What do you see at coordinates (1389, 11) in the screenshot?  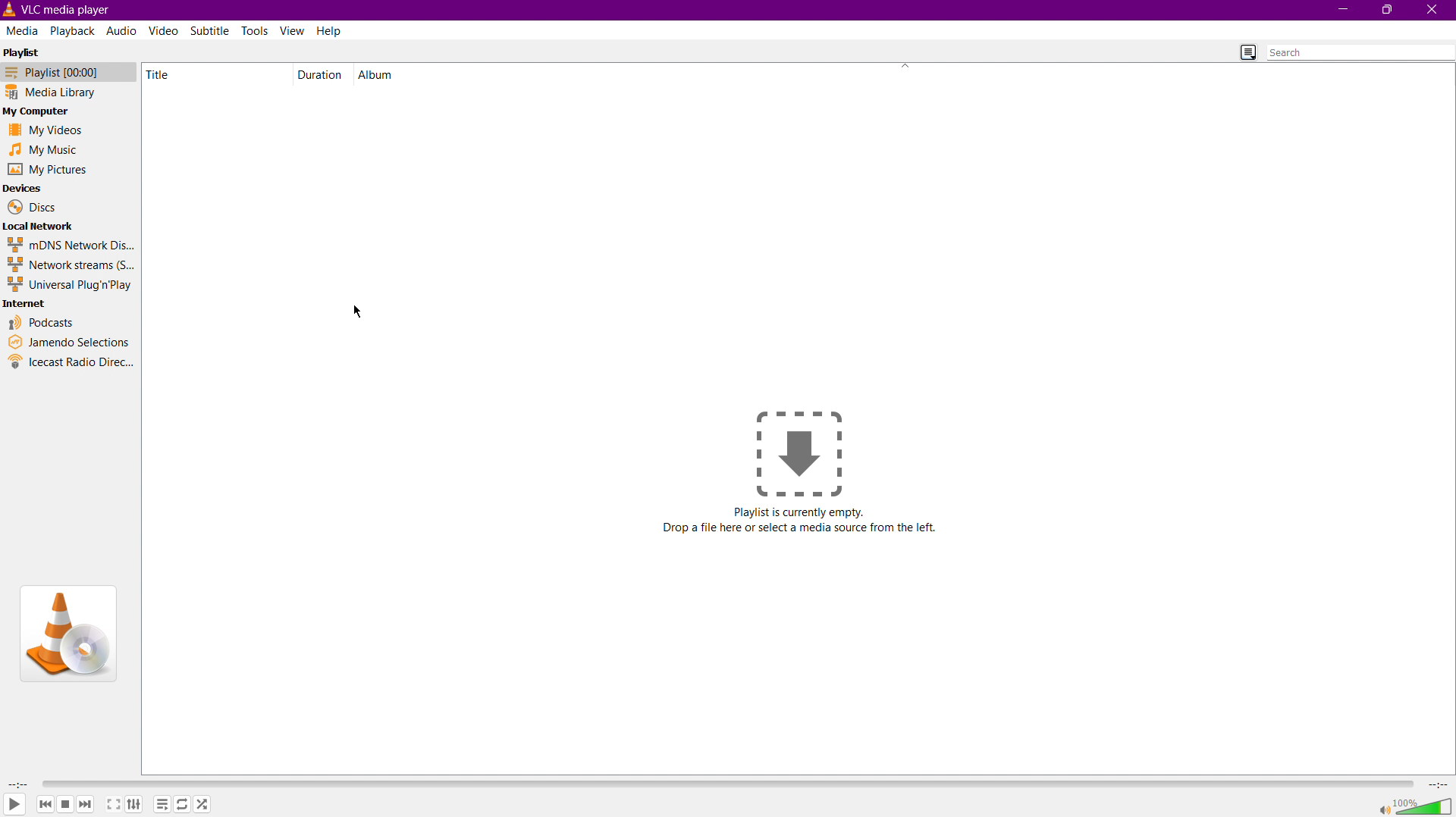 I see `Maximize` at bounding box center [1389, 11].